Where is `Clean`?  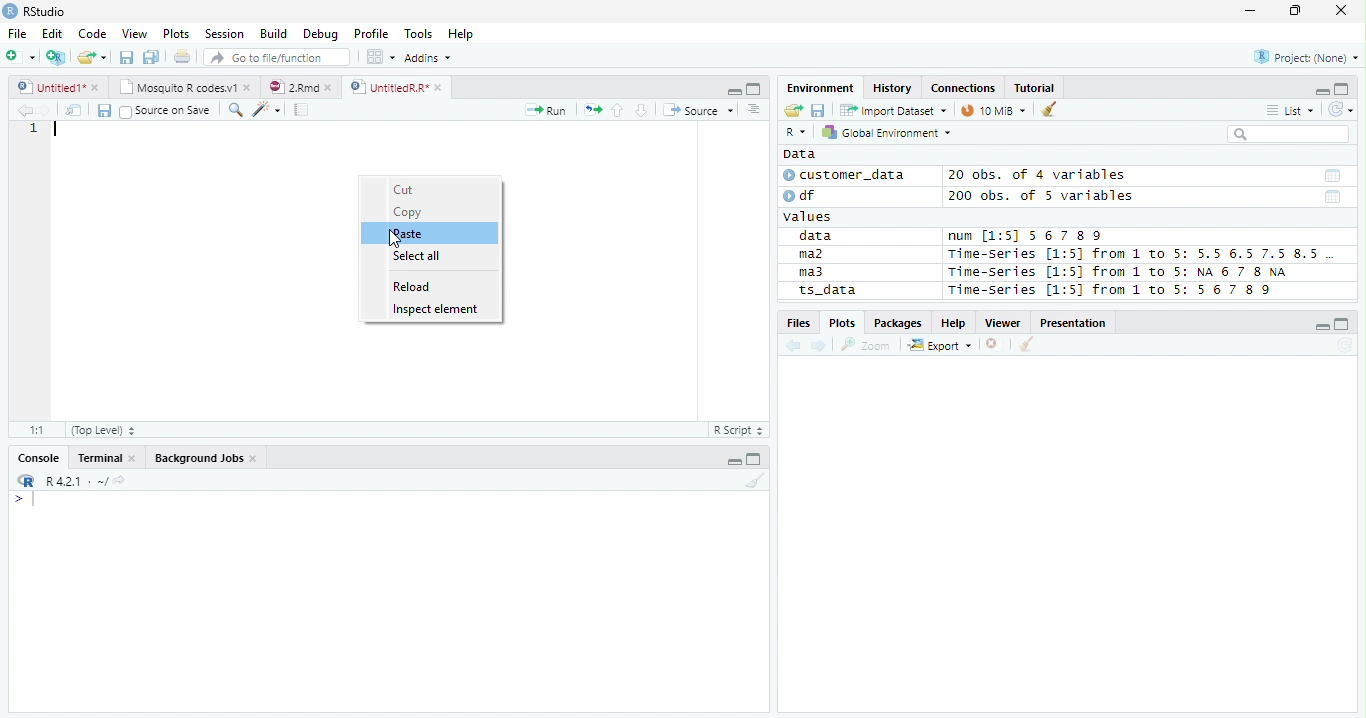 Clean is located at coordinates (1027, 344).